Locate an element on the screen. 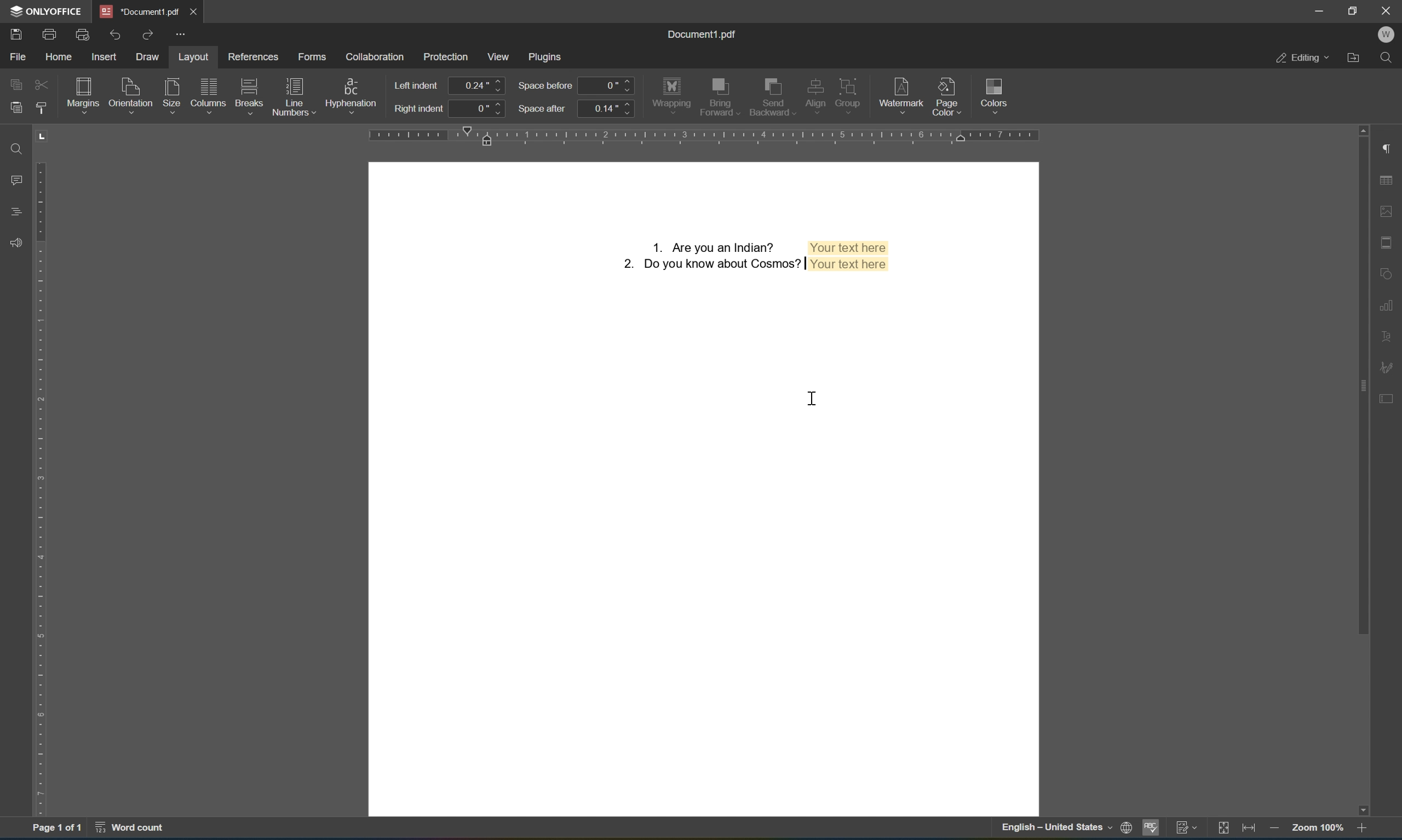  zoom in is located at coordinates (1364, 830).